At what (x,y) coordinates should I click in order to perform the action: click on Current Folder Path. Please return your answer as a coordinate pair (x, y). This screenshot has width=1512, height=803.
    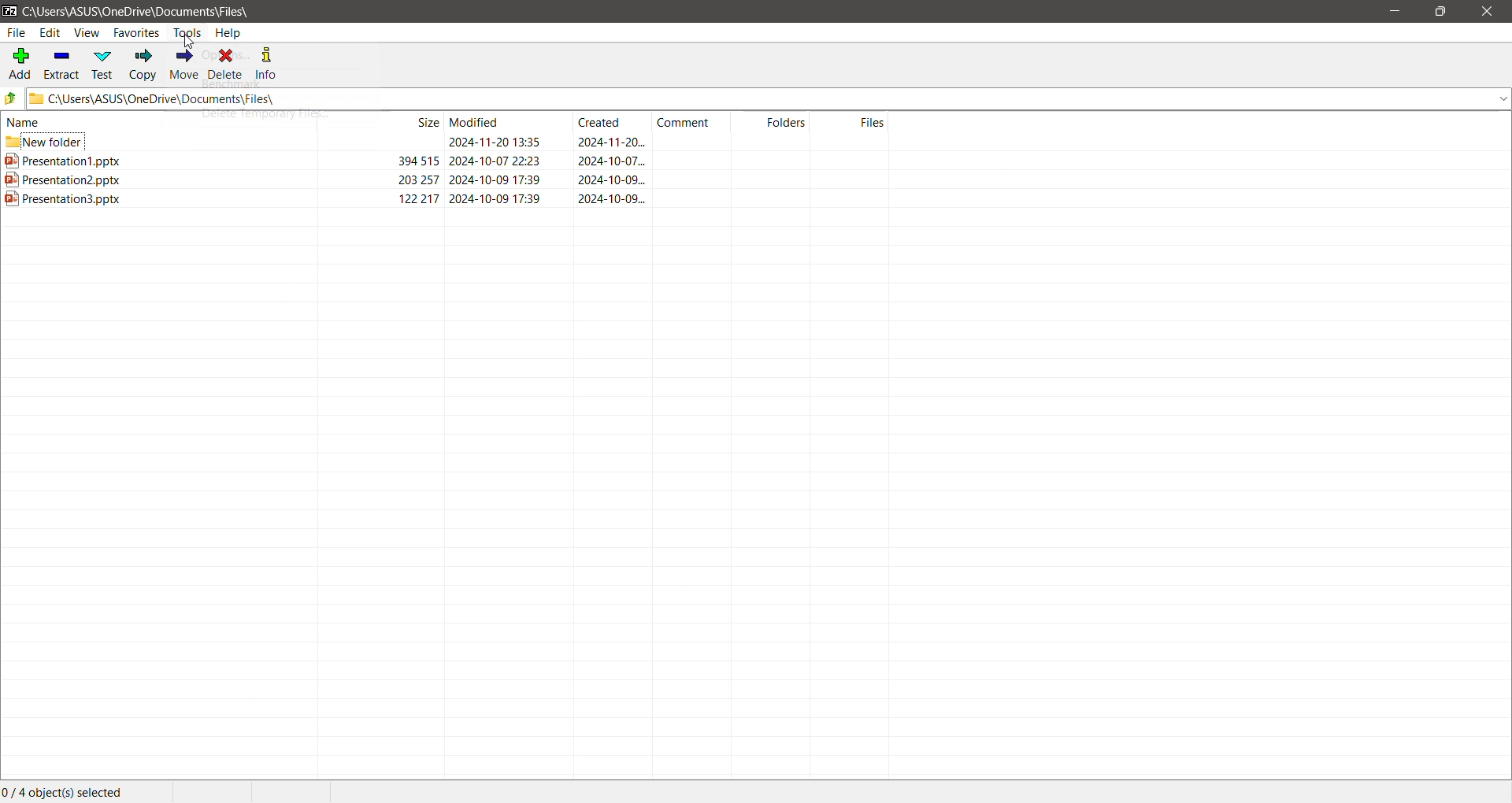
    Looking at the image, I should click on (770, 99).